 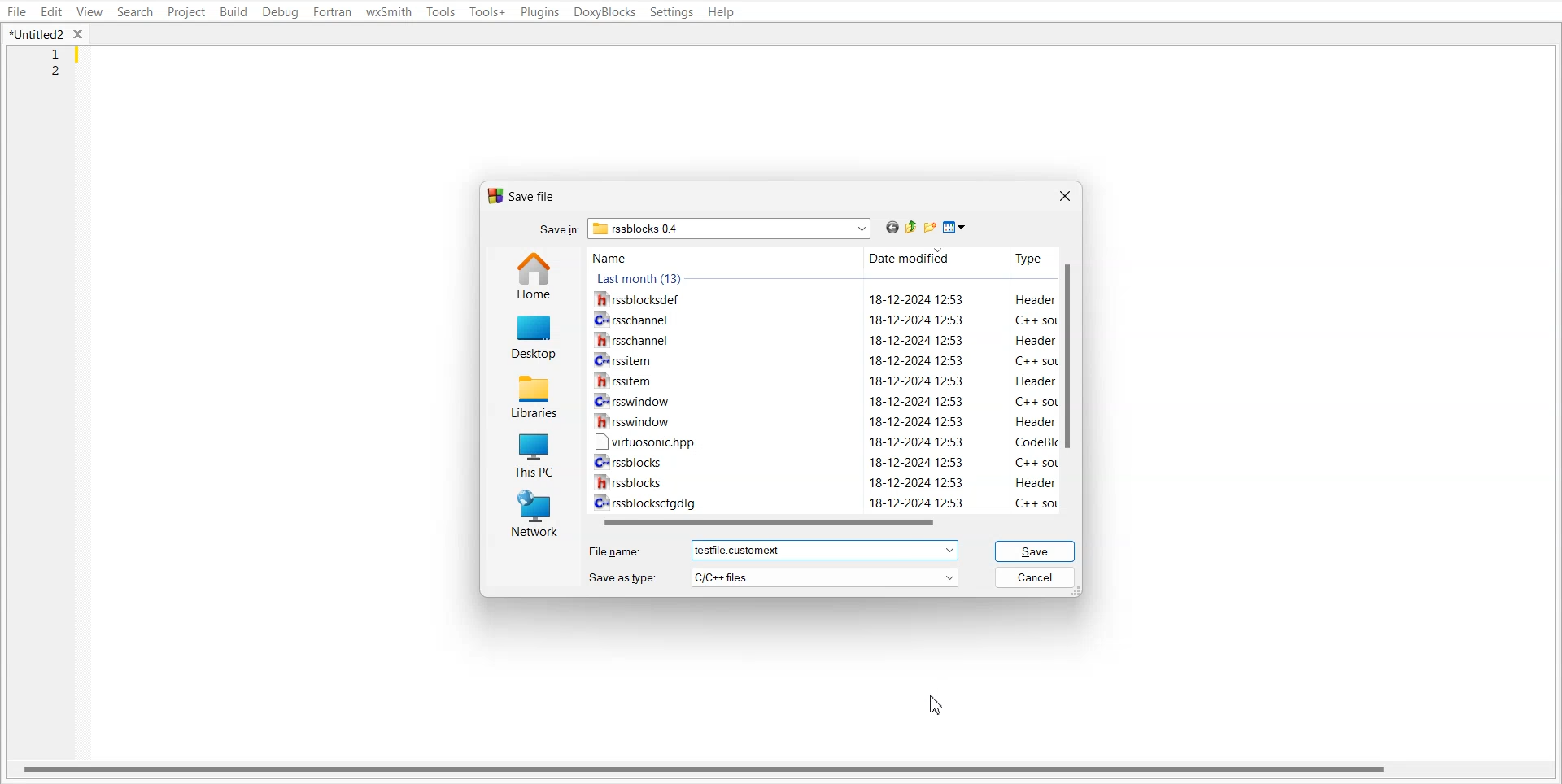 I want to click on Text, so click(x=743, y=551).